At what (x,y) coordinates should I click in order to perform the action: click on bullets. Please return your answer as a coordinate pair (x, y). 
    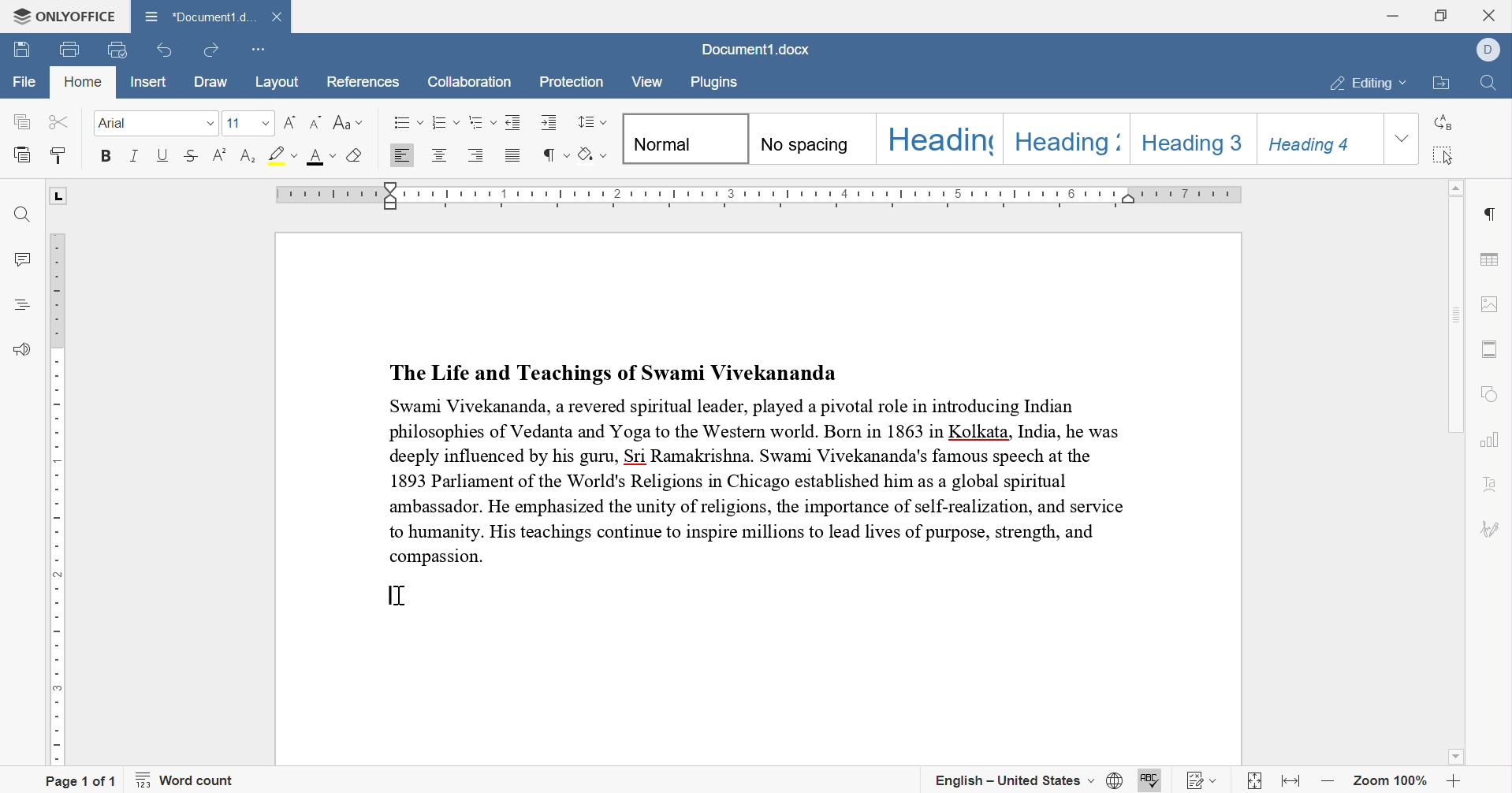
    Looking at the image, I should click on (408, 122).